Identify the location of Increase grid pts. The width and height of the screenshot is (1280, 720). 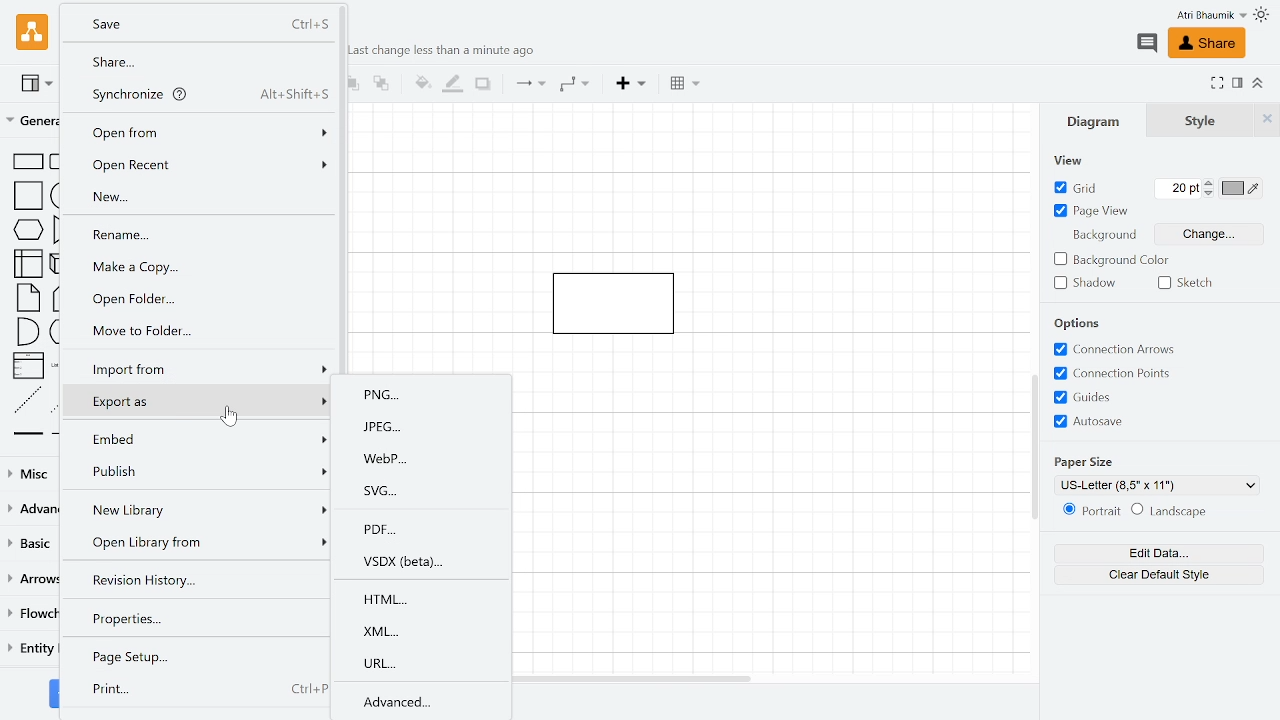
(1210, 183).